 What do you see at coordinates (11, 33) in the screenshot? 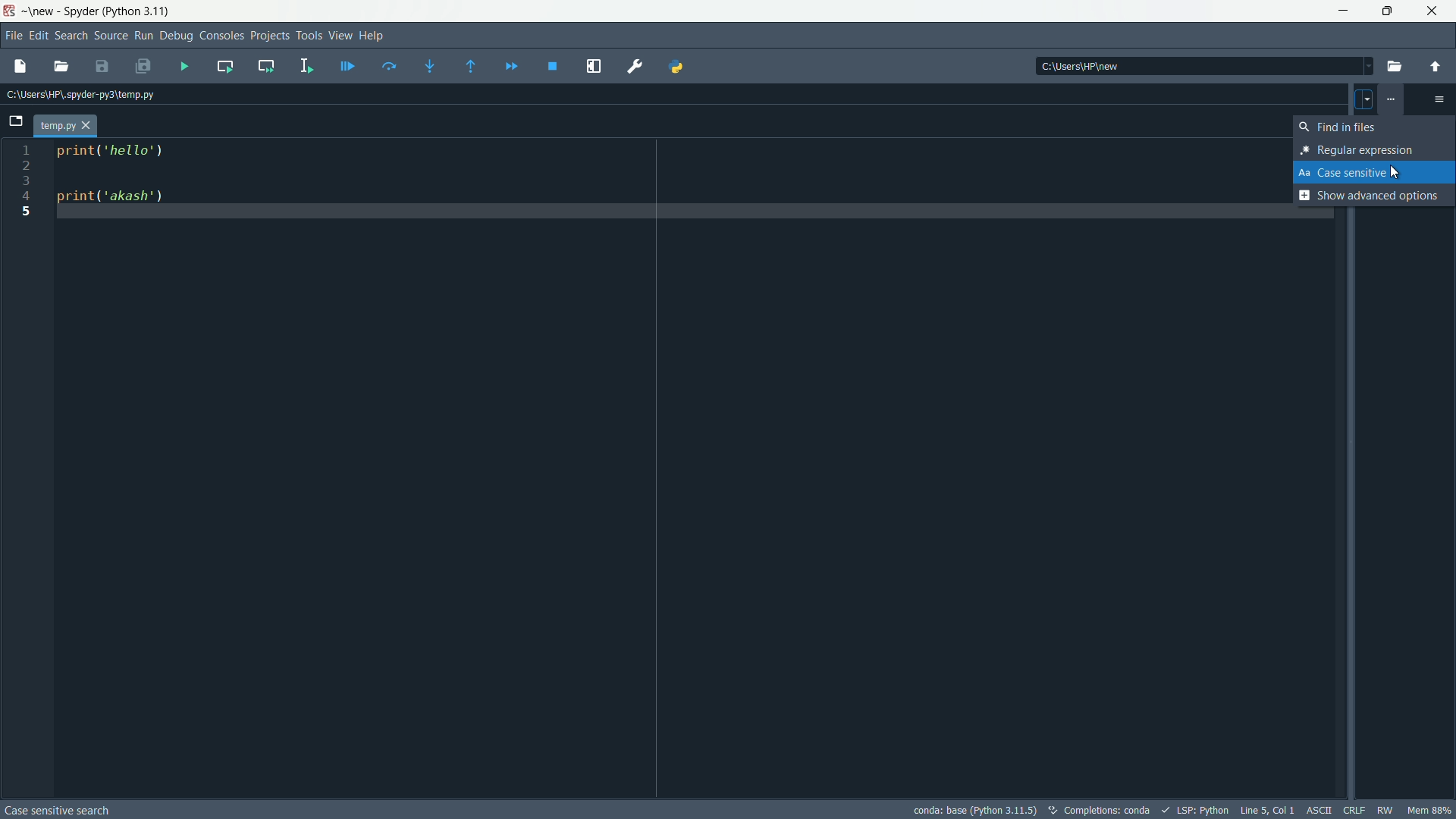
I see `File menu` at bounding box center [11, 33].